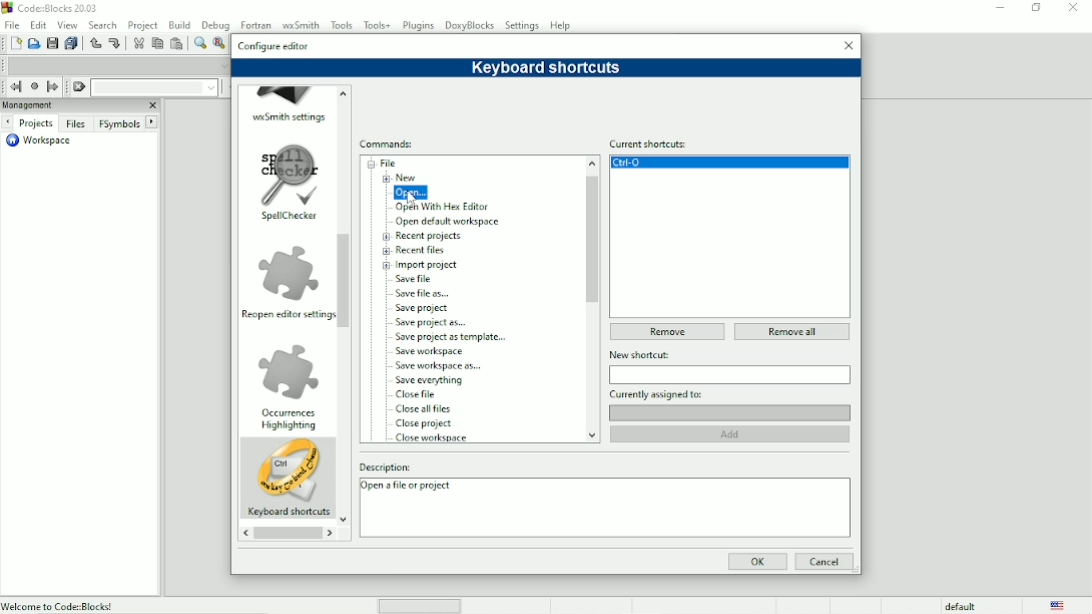  Describe the element at coordinates (344, 521) in the screenshot. I see `Down` at that location.